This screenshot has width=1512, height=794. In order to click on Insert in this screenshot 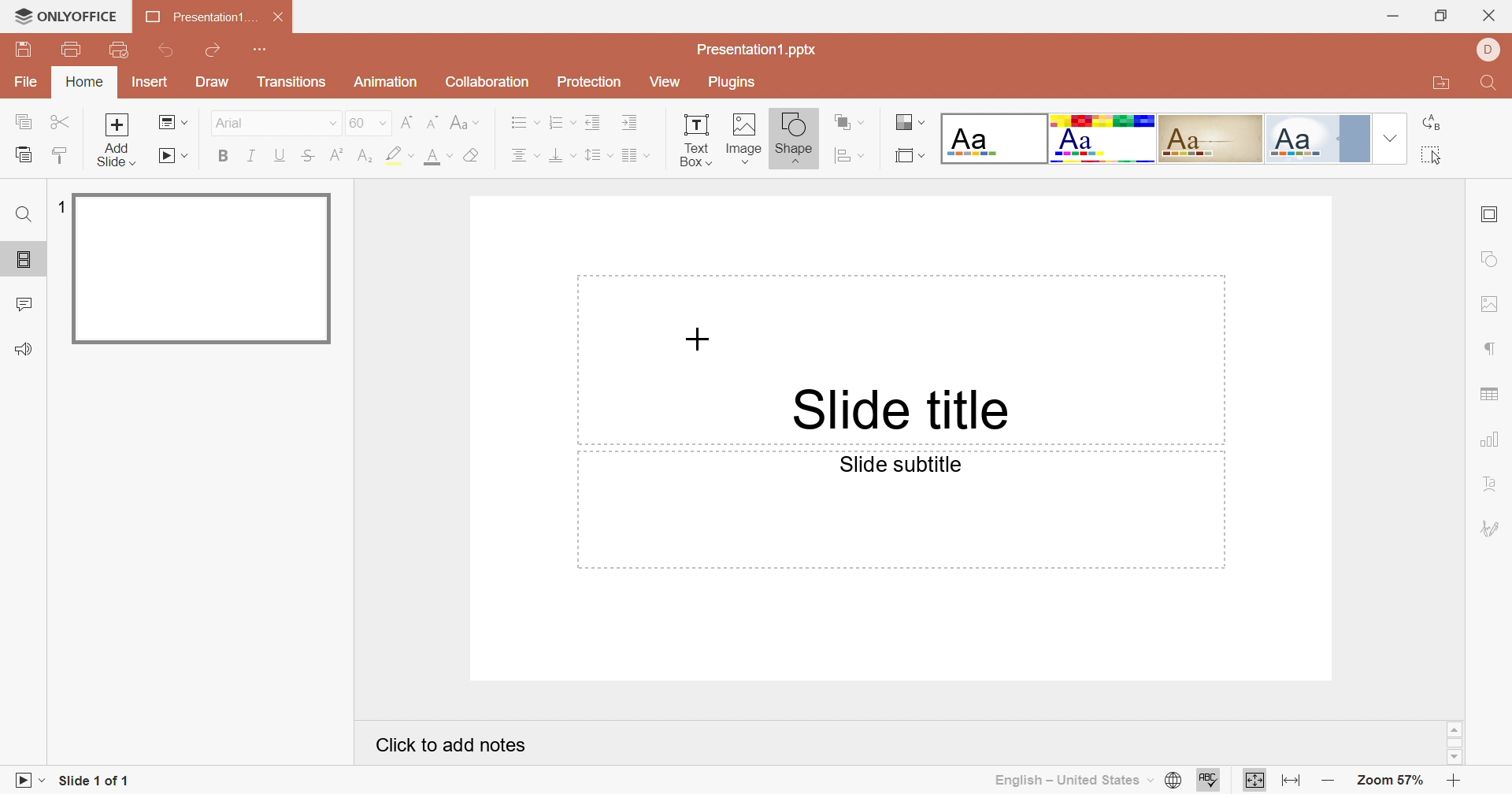, I will do `click(149, 83)`.